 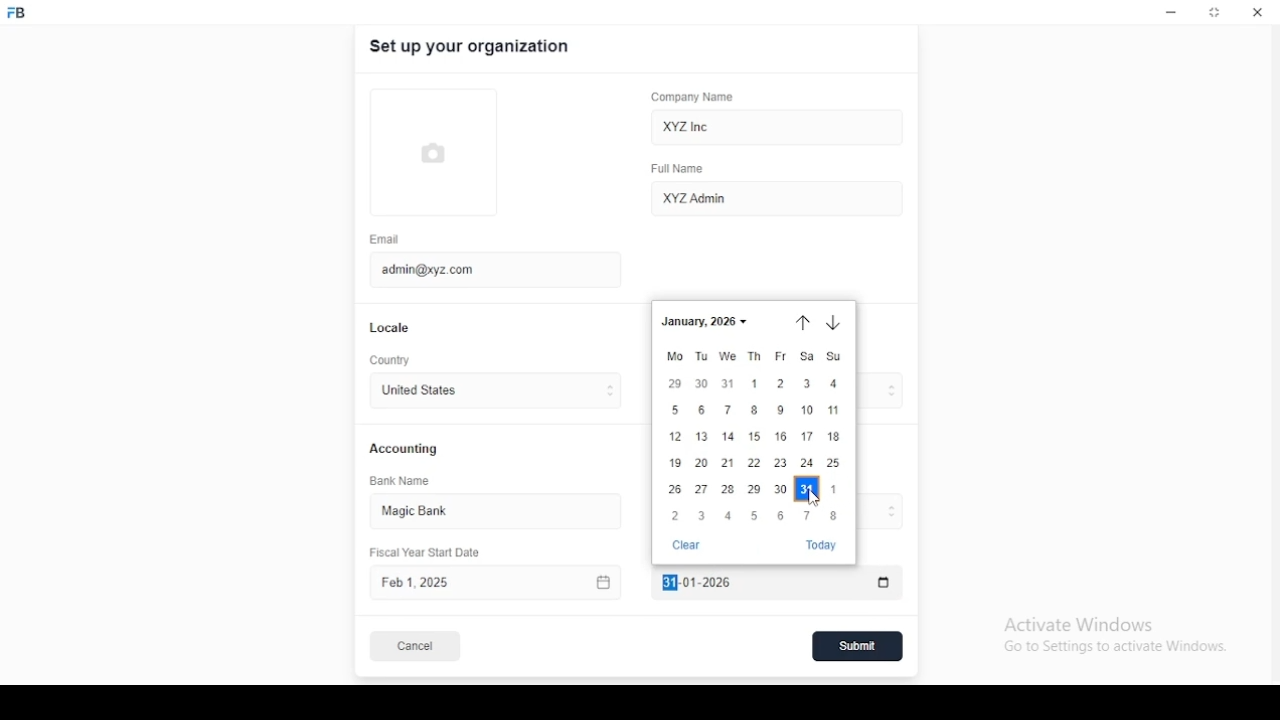 I want to click on Tu, so click(x=704, y=356).